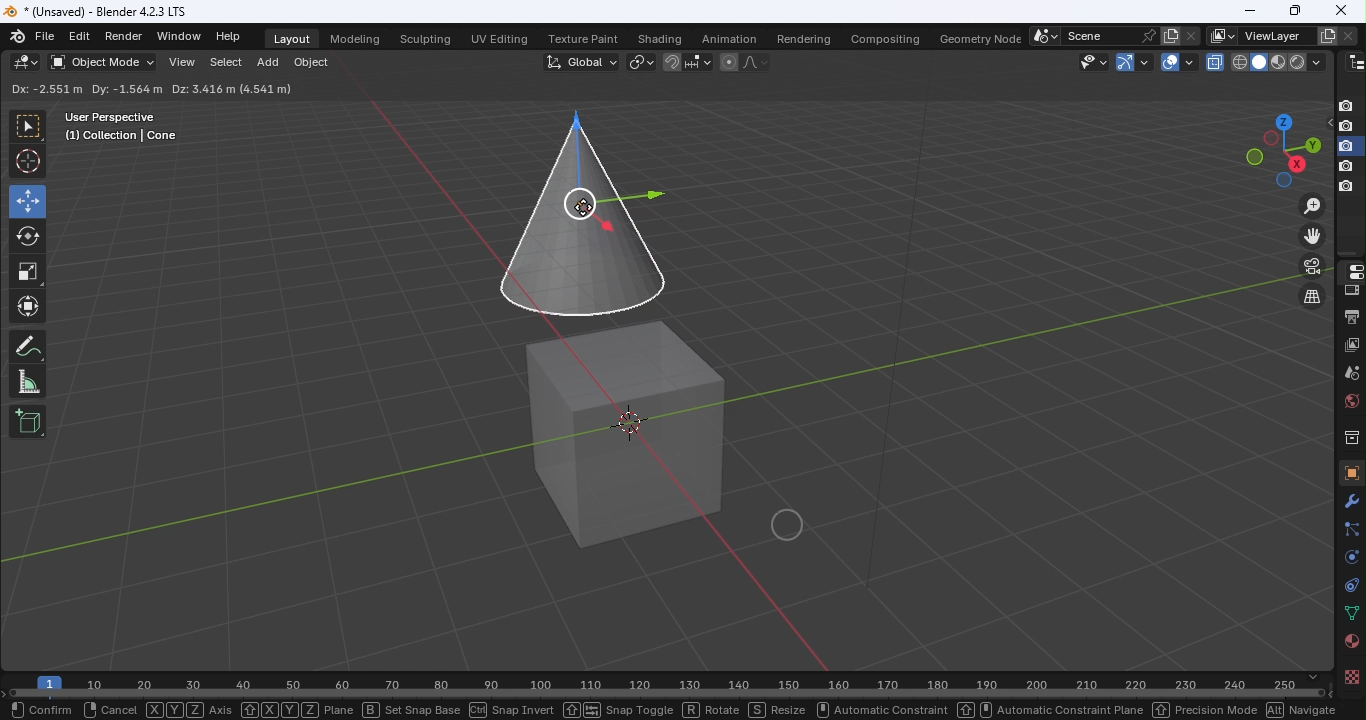  Describe the element at coordinates (1348, 584) in the screenshot. I see `Constraints` at that location.